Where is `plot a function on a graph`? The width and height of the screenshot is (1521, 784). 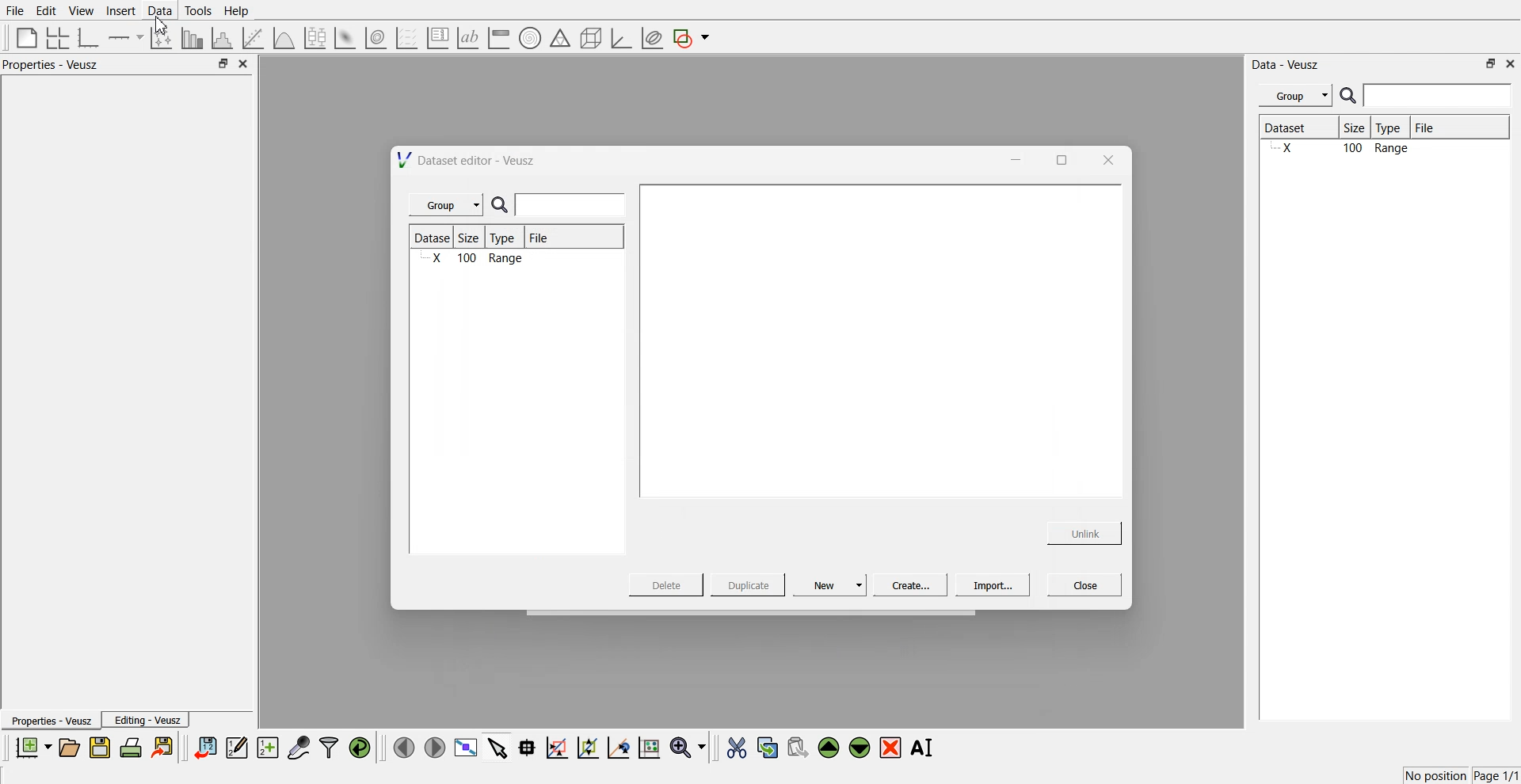
plot a function on a graph is located at coordinates (284, 36).